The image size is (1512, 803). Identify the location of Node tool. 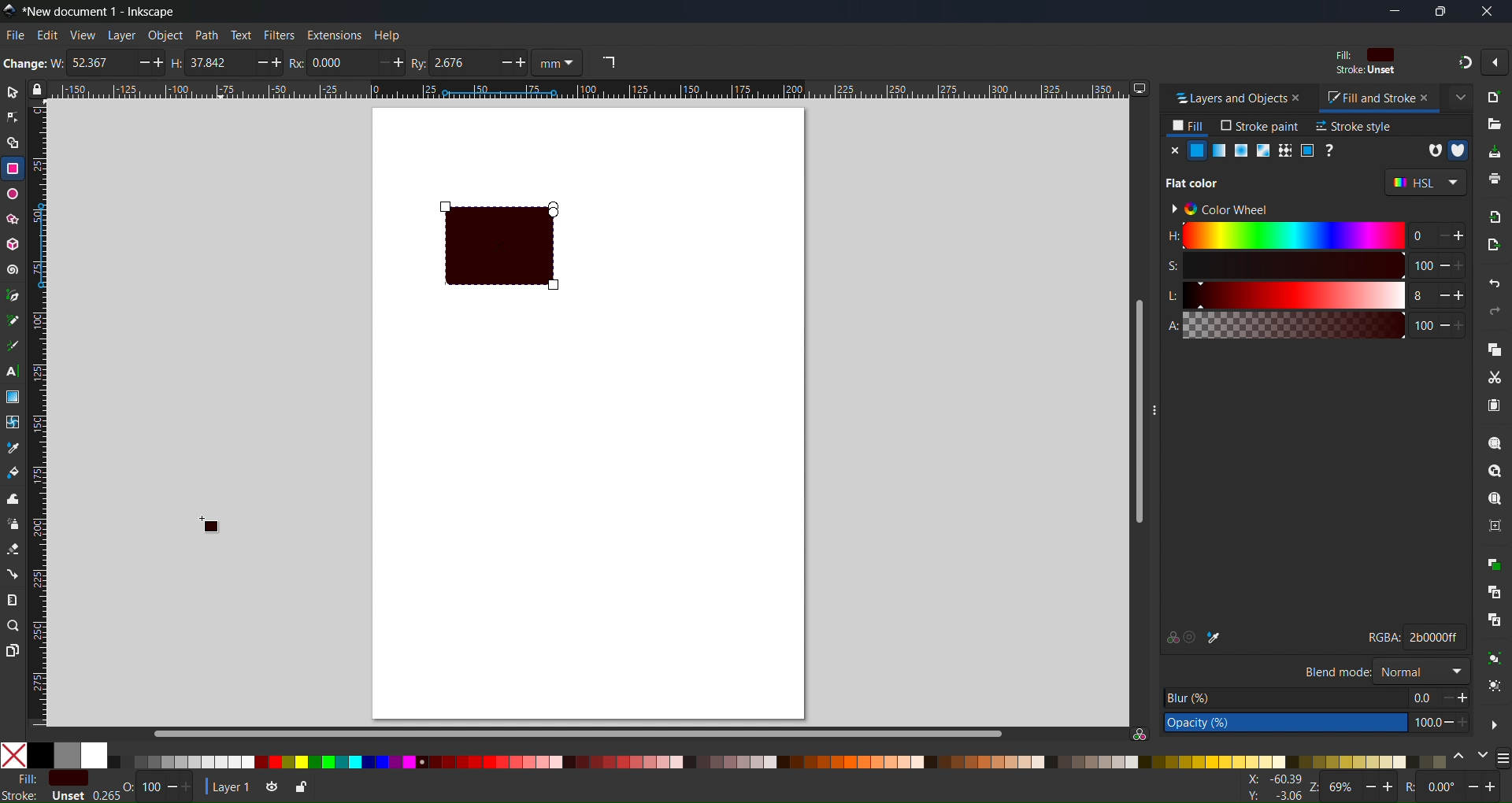
(13, 117).